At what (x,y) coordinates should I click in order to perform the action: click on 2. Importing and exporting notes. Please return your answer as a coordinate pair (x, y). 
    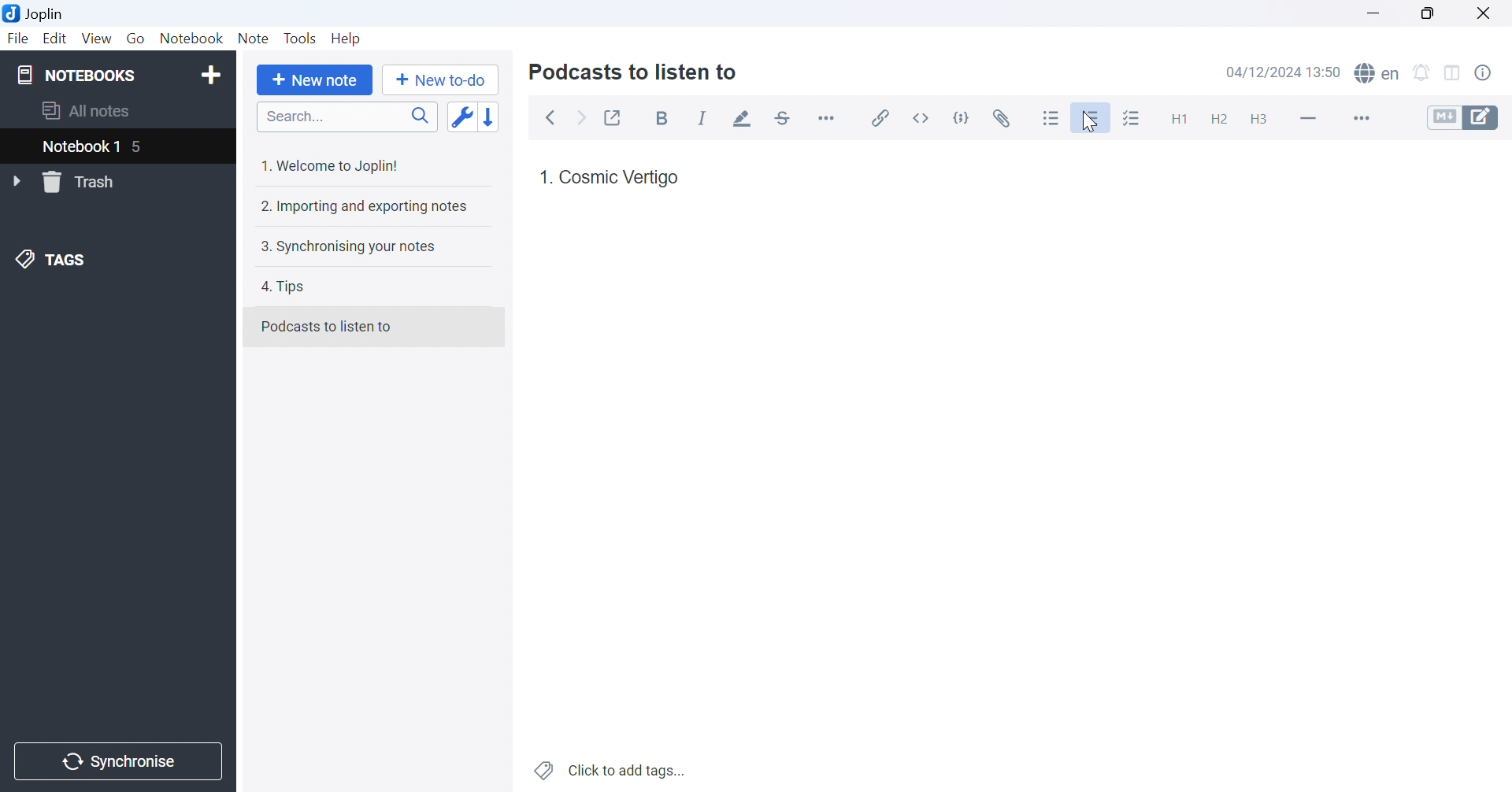
    Looking at the image, I should click on (365, 208).